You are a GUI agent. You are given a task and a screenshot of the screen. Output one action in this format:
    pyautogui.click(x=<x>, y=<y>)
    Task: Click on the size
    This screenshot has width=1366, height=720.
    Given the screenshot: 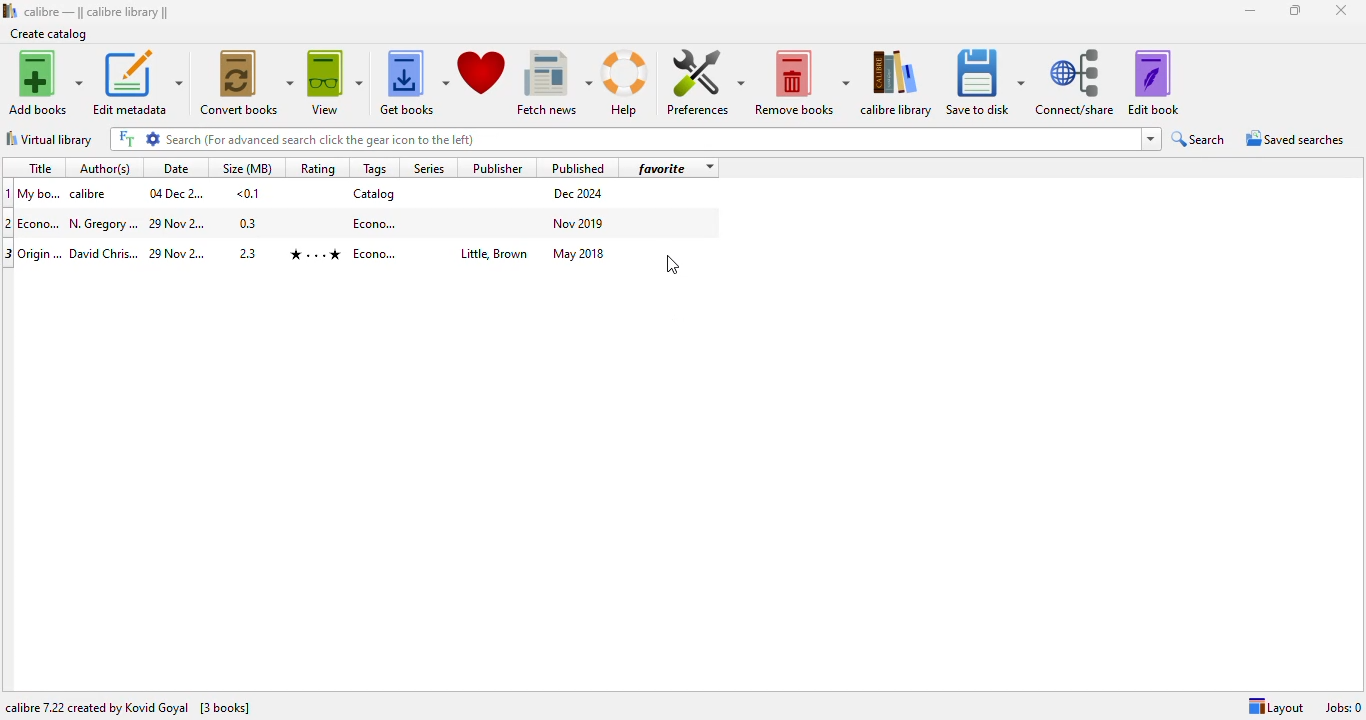 What is the action you would take?
    pyautogui.click(x=249, y=223)
    